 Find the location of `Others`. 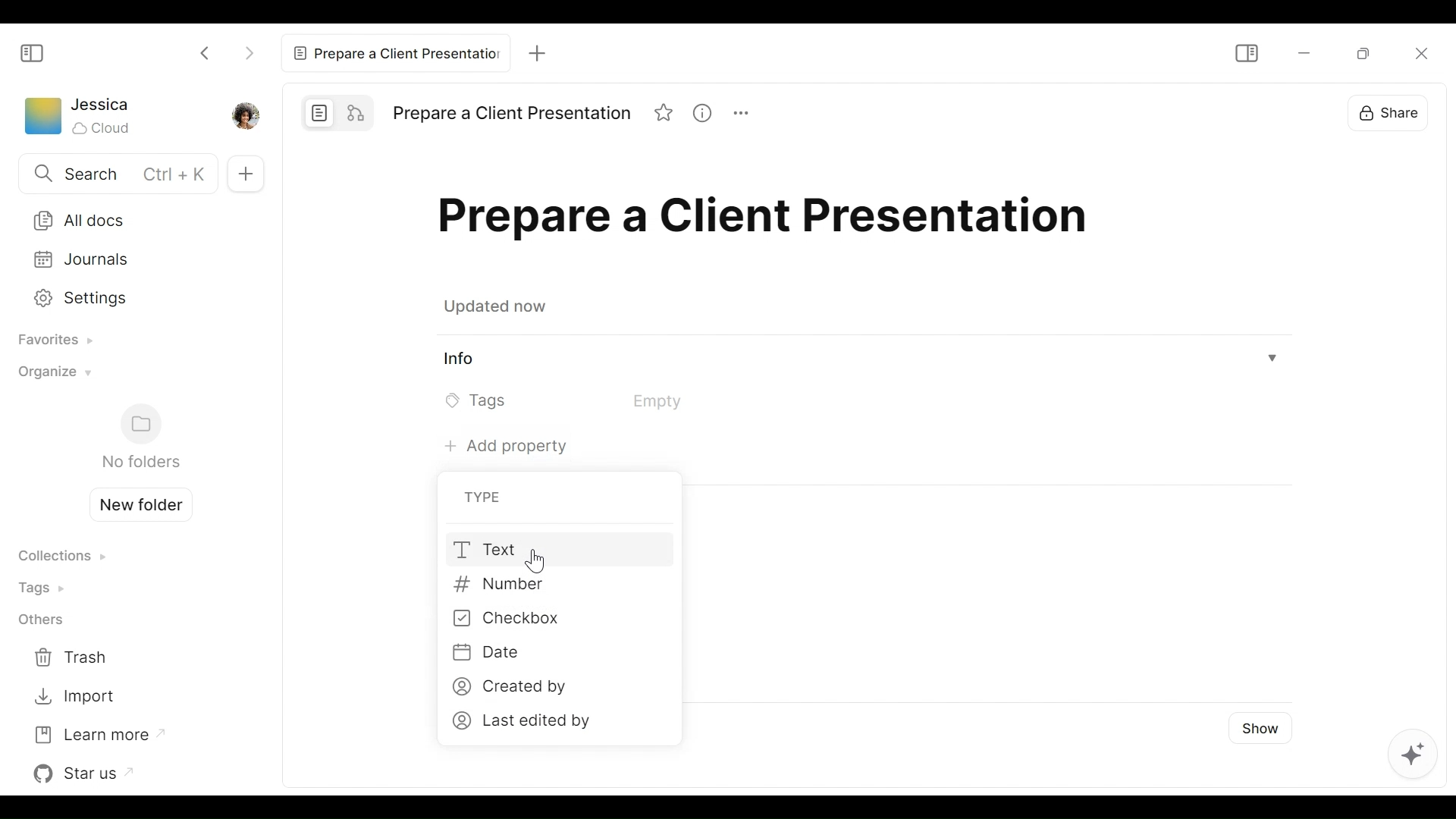

Others is located at coordinates (40, 621).